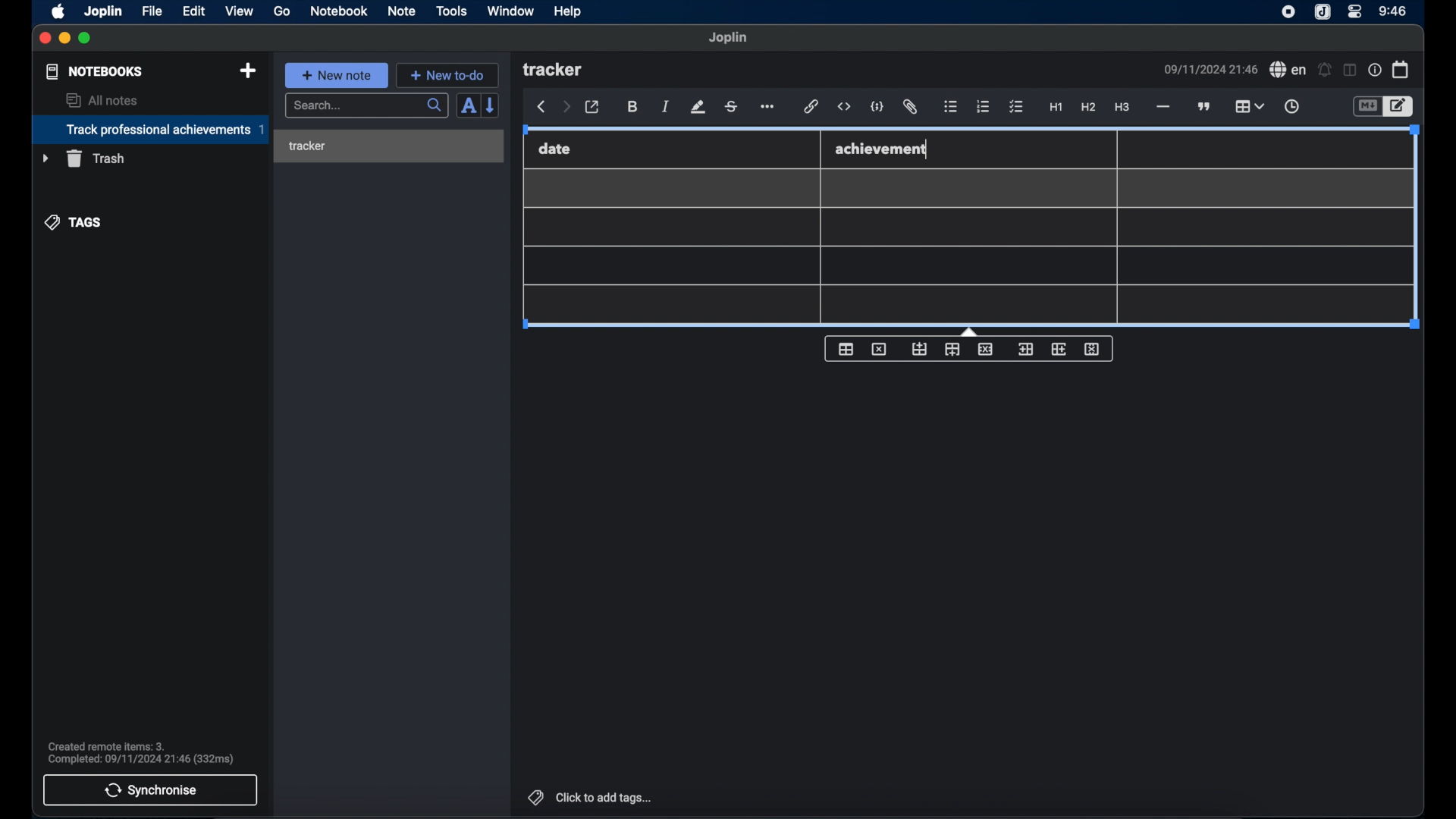 This screenshot has width=1456, height=819. Describe the element at coordinates (912, 108) in the screenshot. I see `attach file` at that location.